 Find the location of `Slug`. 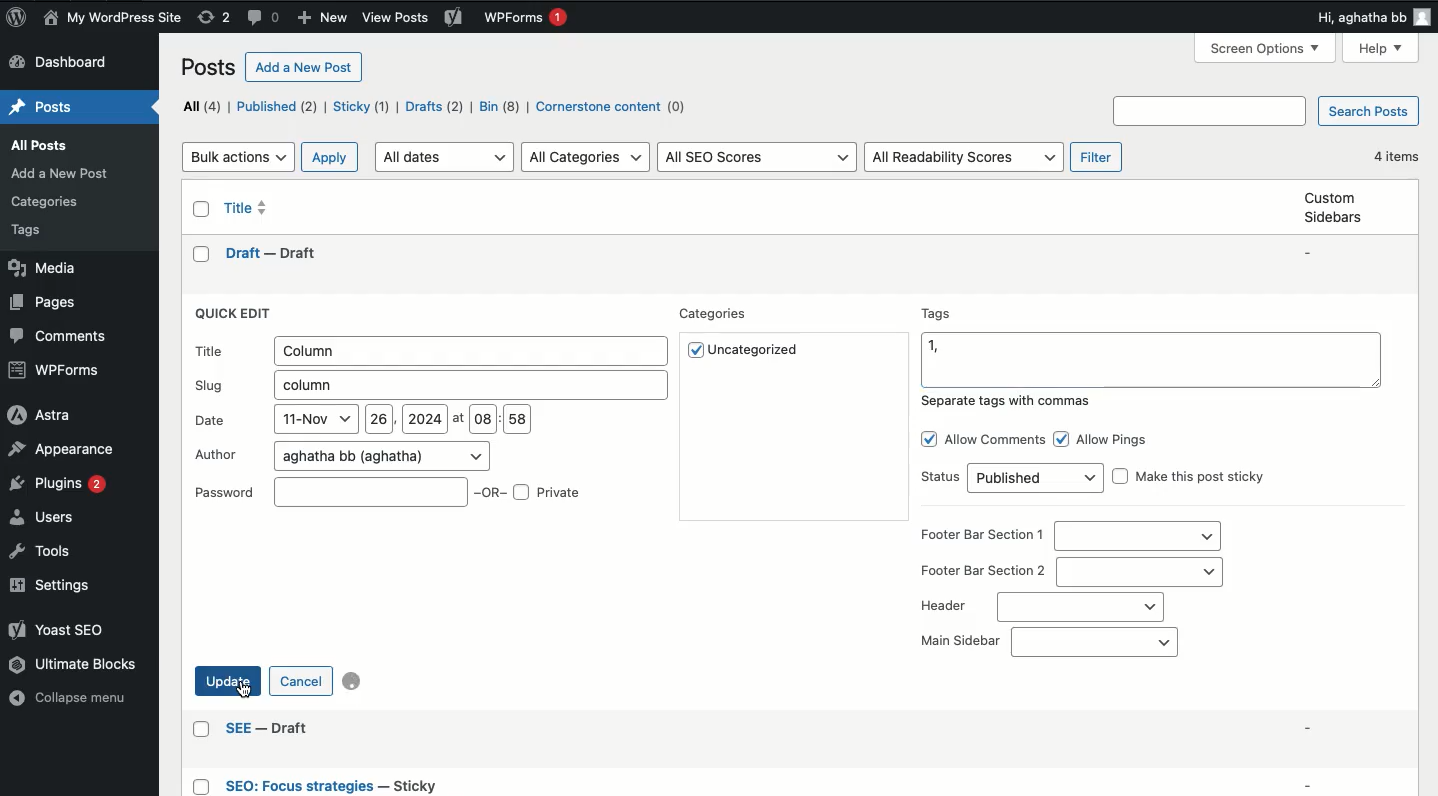

Slug is located at coordinates (429, 384).